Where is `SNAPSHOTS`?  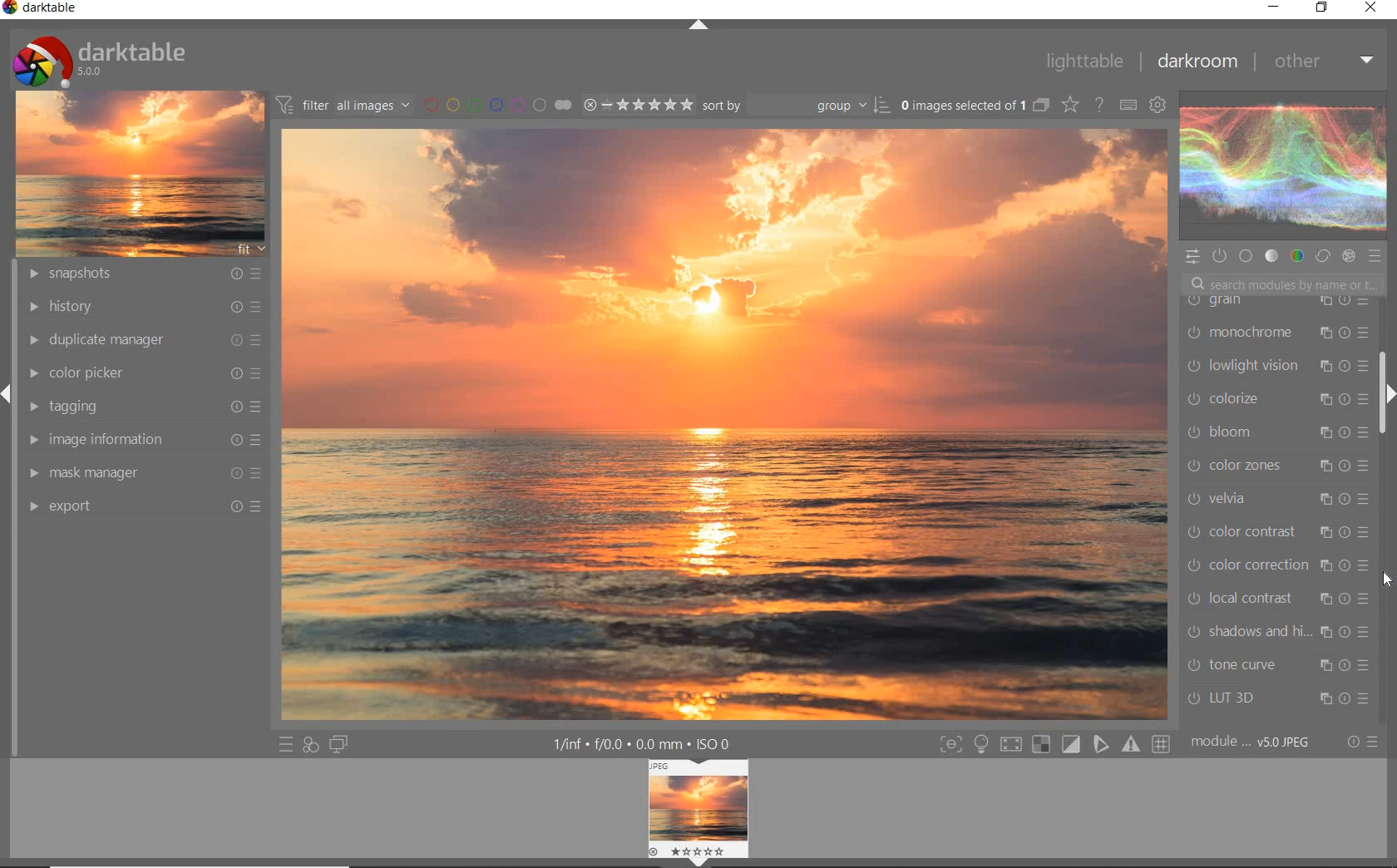
SNAPSHOTS is located at coordinates (143, 274).